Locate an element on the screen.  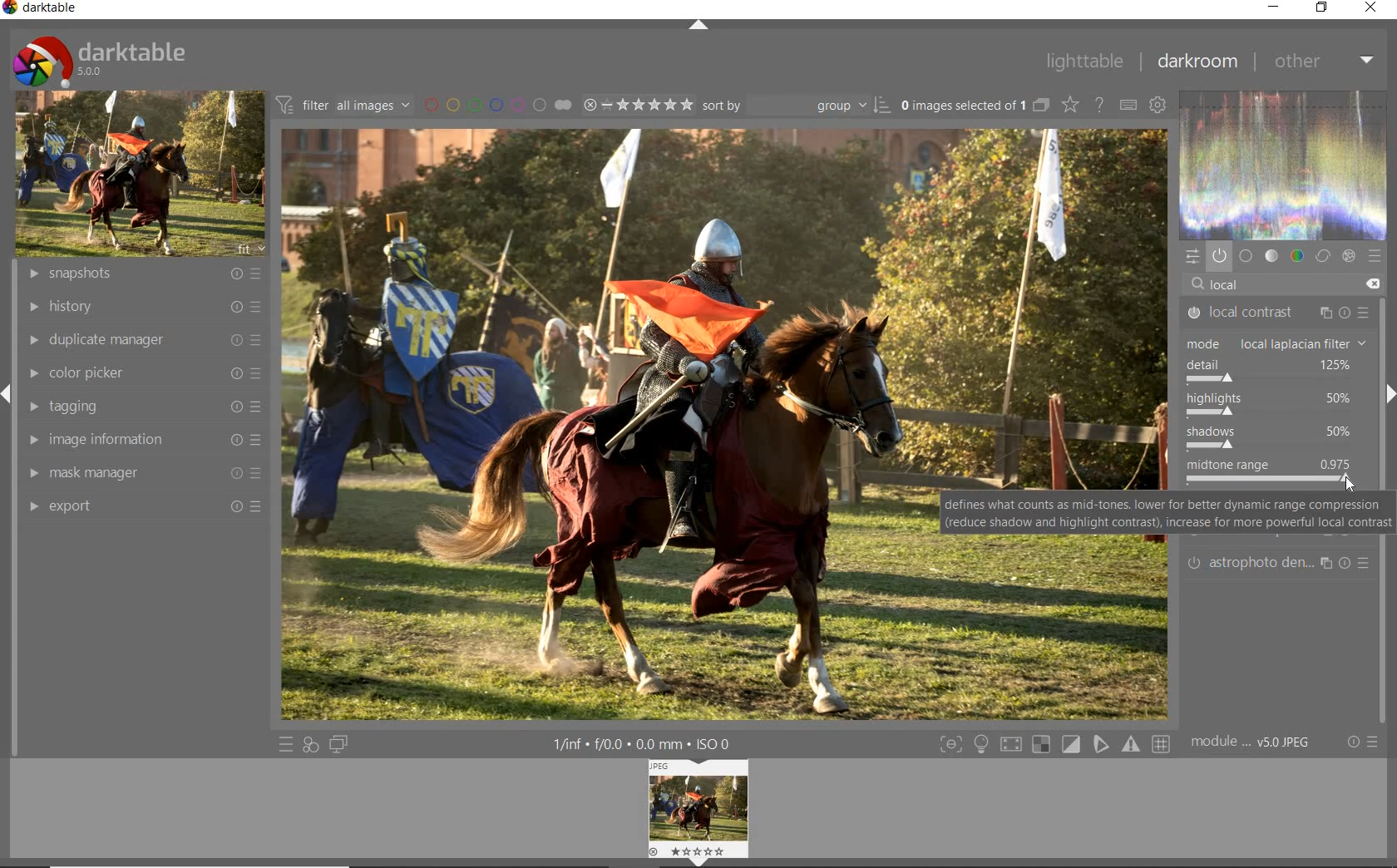
change type of overlays is located at coordinates (1071, 104).